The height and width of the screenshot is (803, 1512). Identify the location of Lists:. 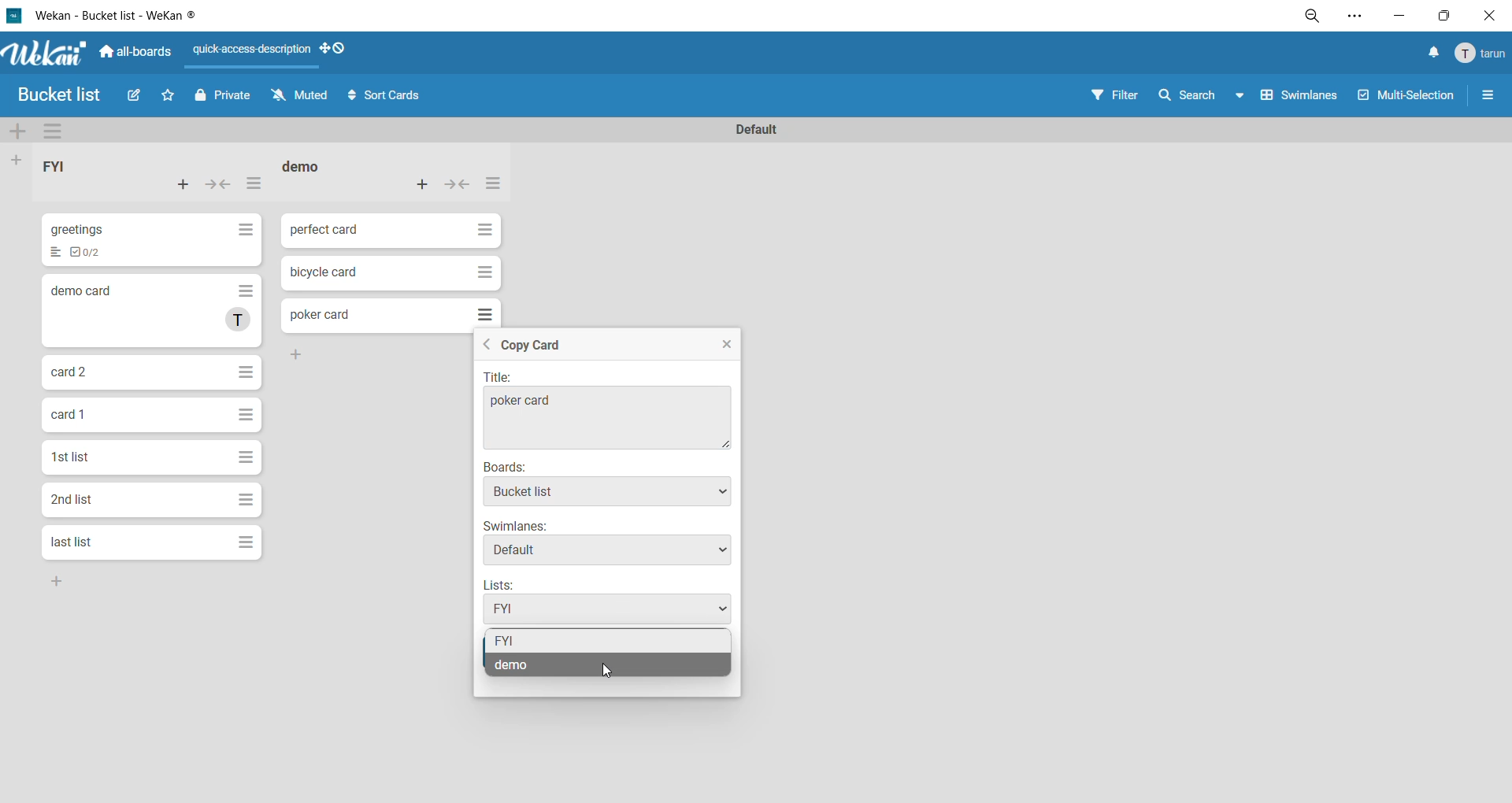
(501, 583).